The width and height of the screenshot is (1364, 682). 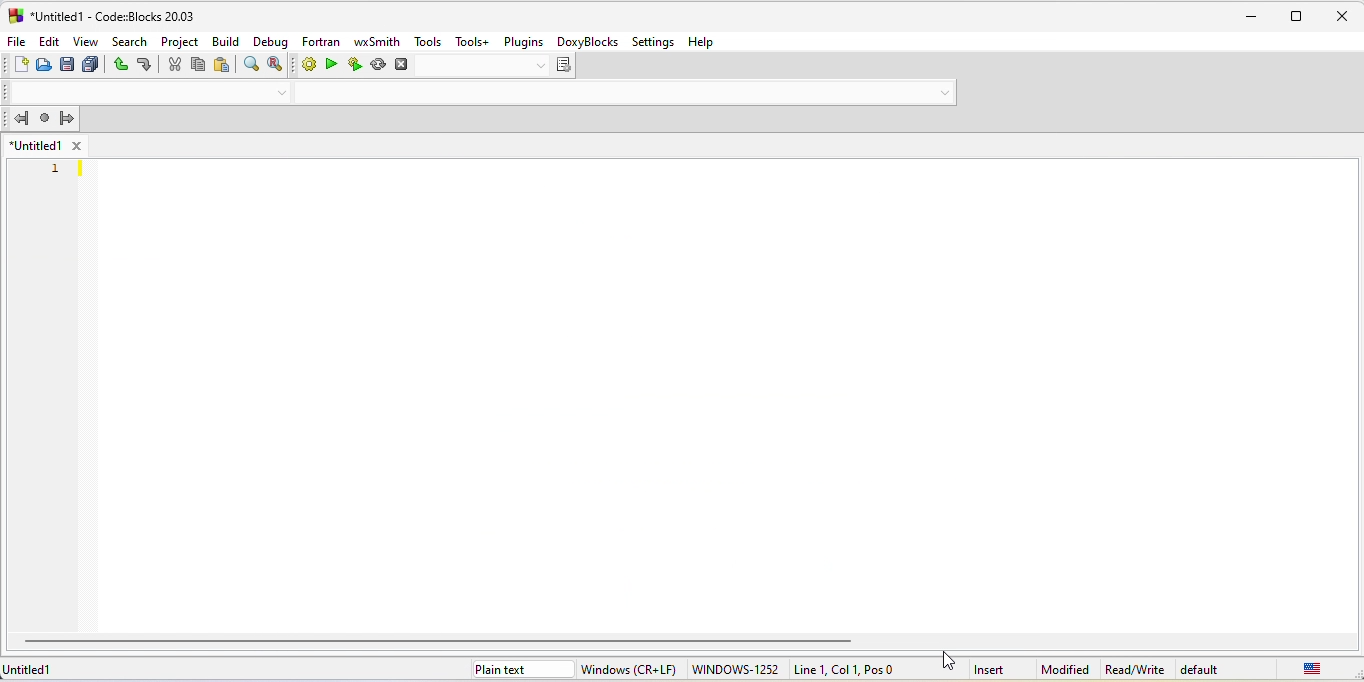 What do you see at coordinates (85, 41) in the screenshot?
I see `view` at bounding box center [85, 41].